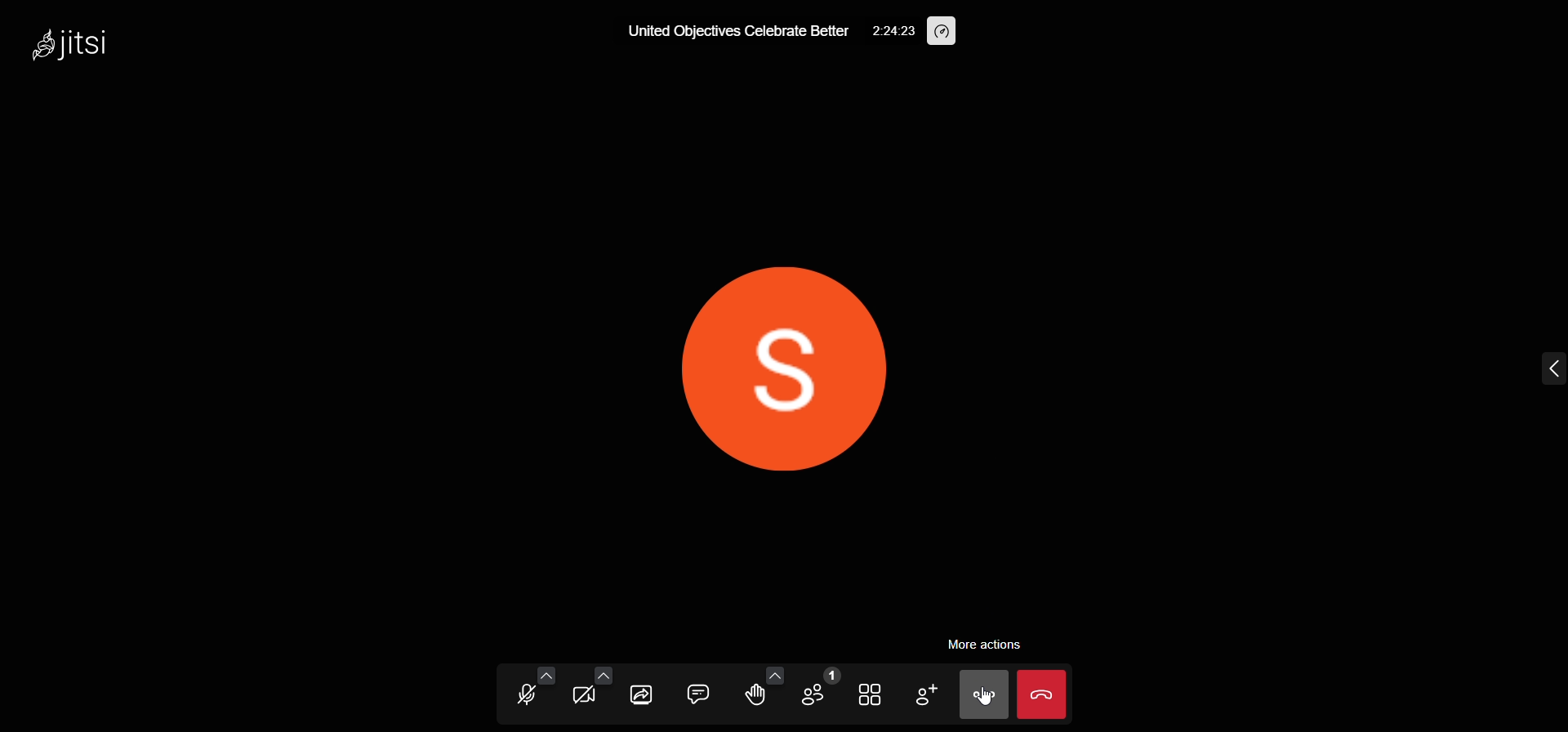  Describe the element at coordinates (545, 673) in the screenshot. I see `more audio options` at that location.